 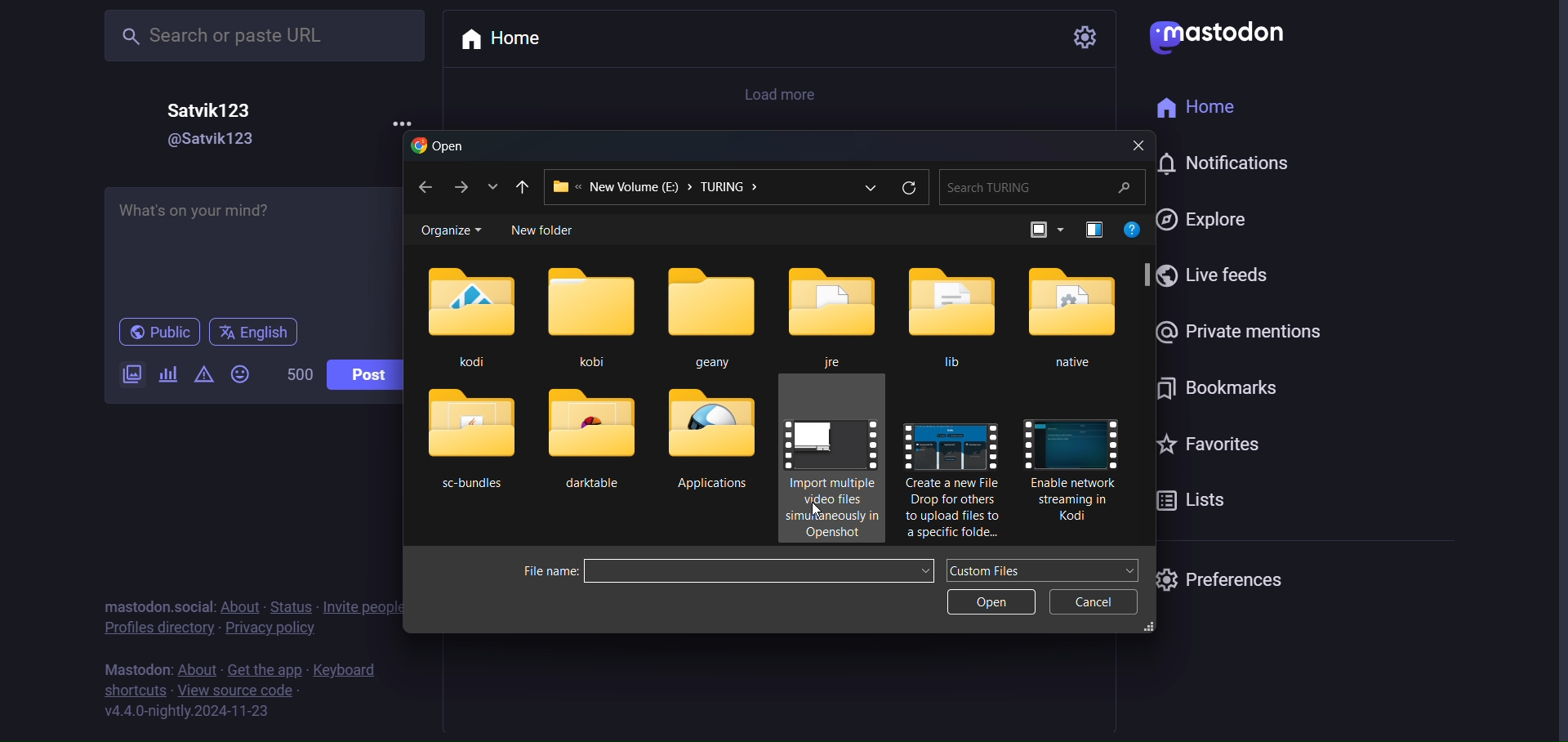 What do you see at coordinates (239, 375) in the screenshot?
I see `emoji` at bounding box center [239, 375].